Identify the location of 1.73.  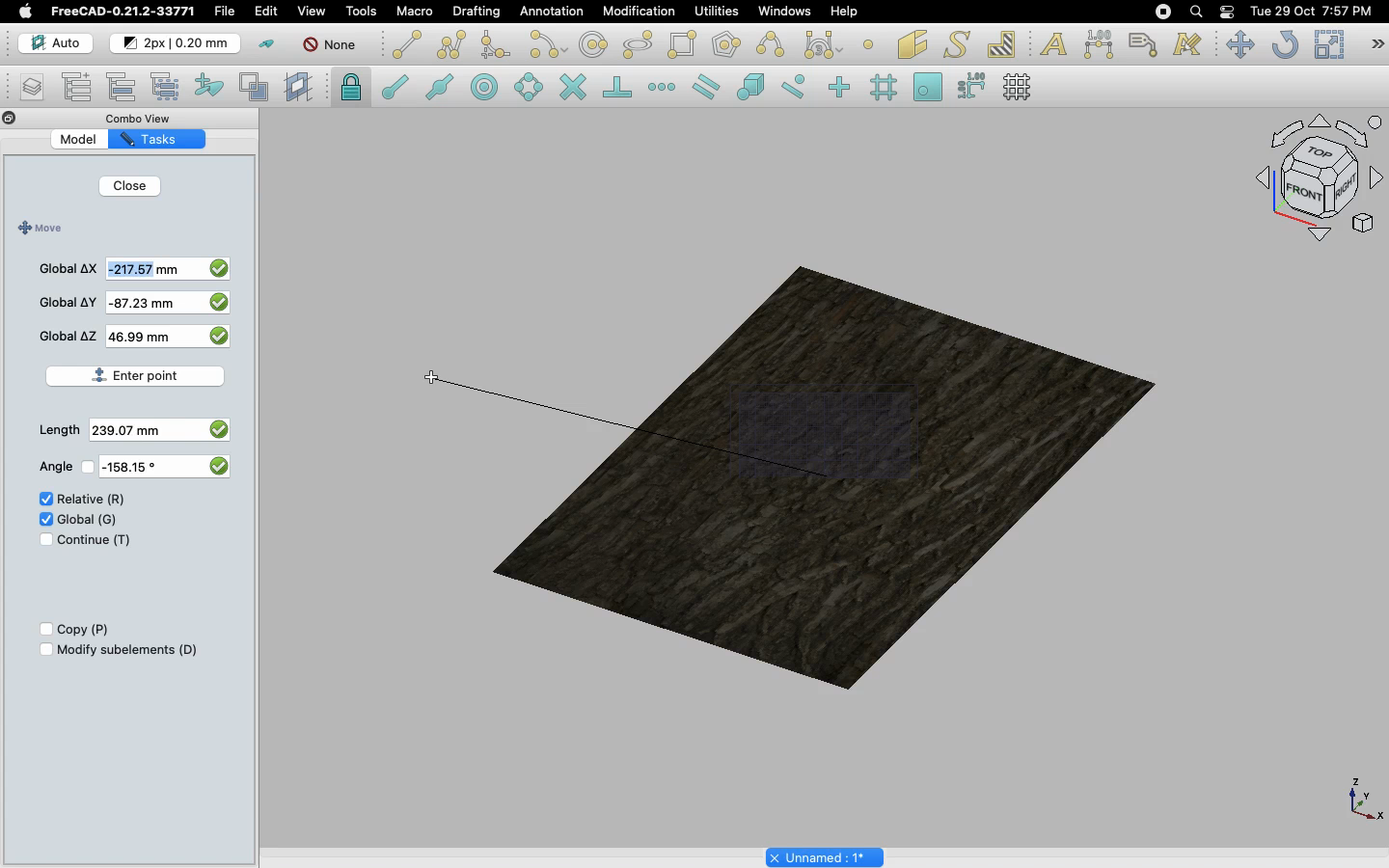
(123, 431).